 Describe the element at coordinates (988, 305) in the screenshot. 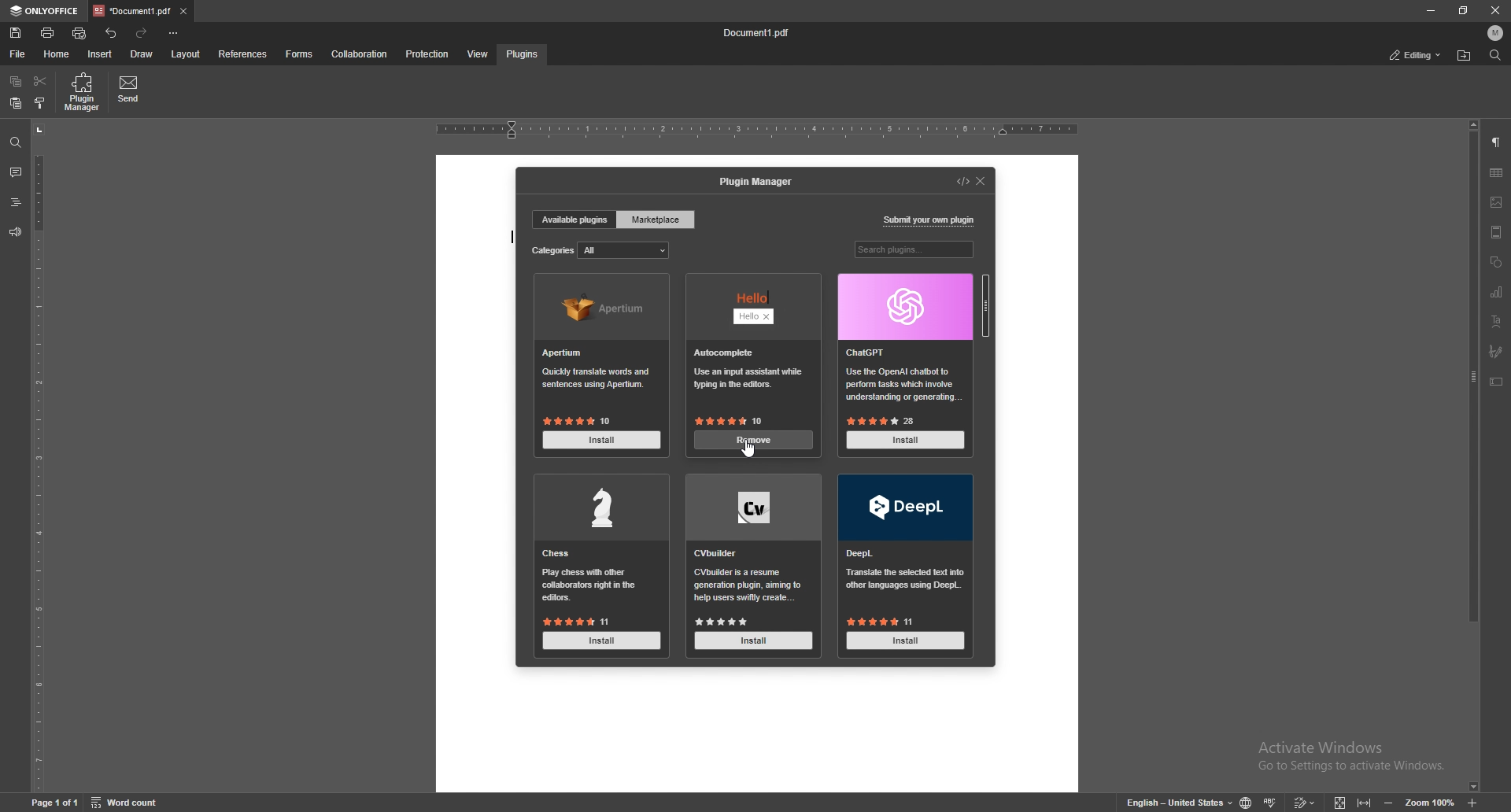

I see `scroll bar` at that location.